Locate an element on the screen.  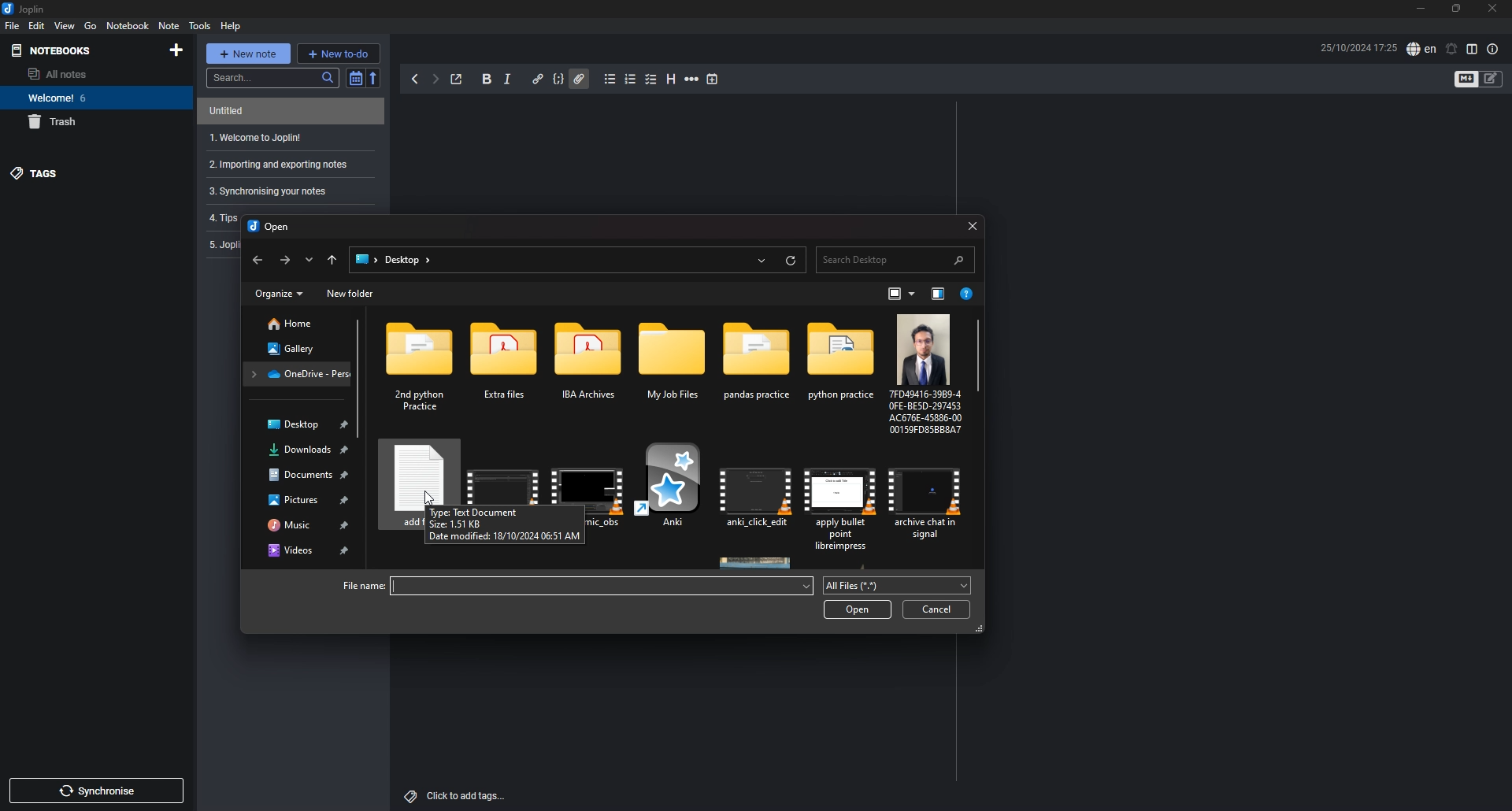
attach file is located at coordinates (579, 79).